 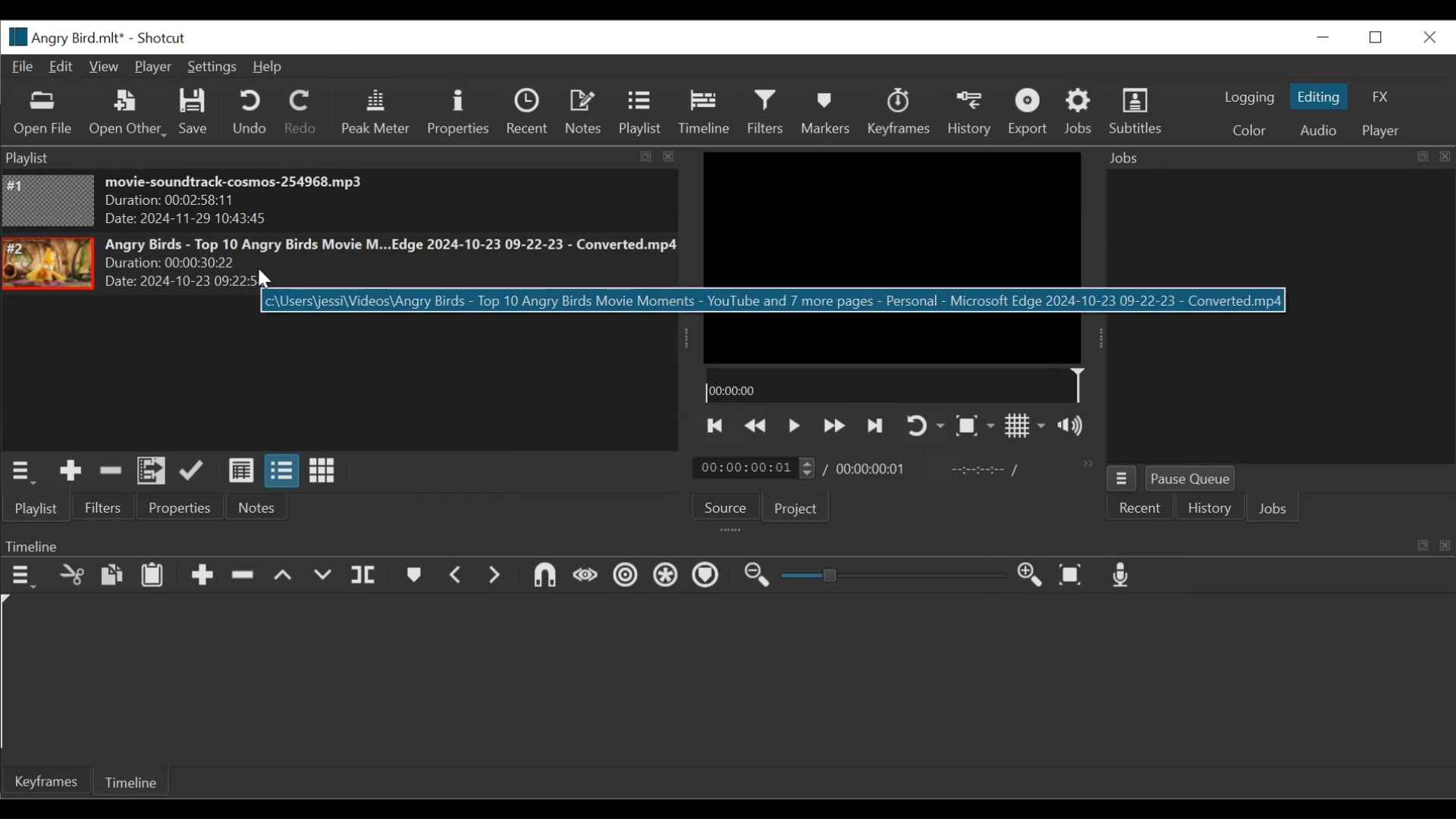 What do you see at coordinates (1250, 131) in the screenshot?
I see `Color` at bounding box center [1250, 131].